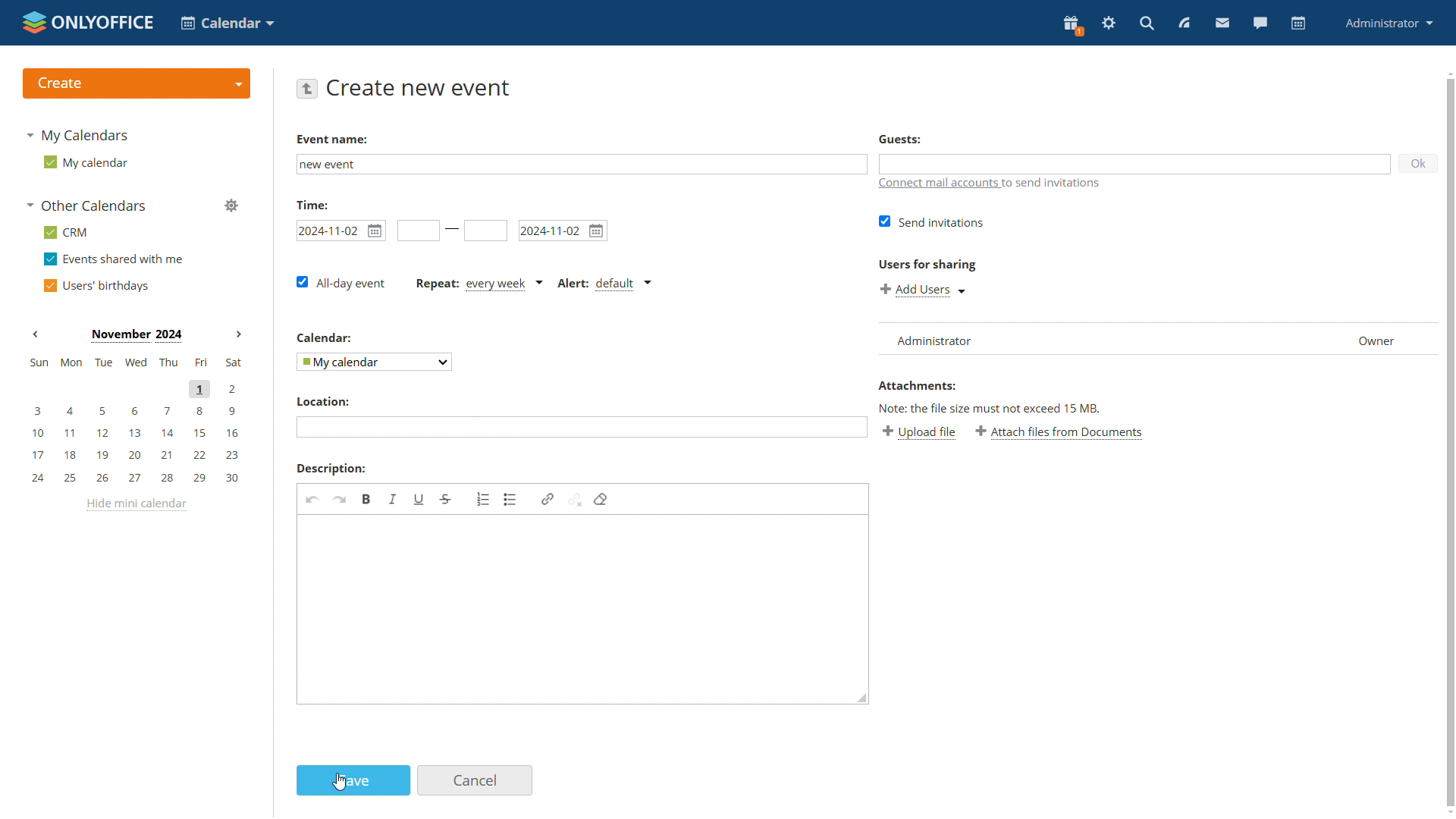  What do you see at coordinates (480, 284) in the screenshot?
I see `event repetition set for every week` at bounding box center [480, 284].